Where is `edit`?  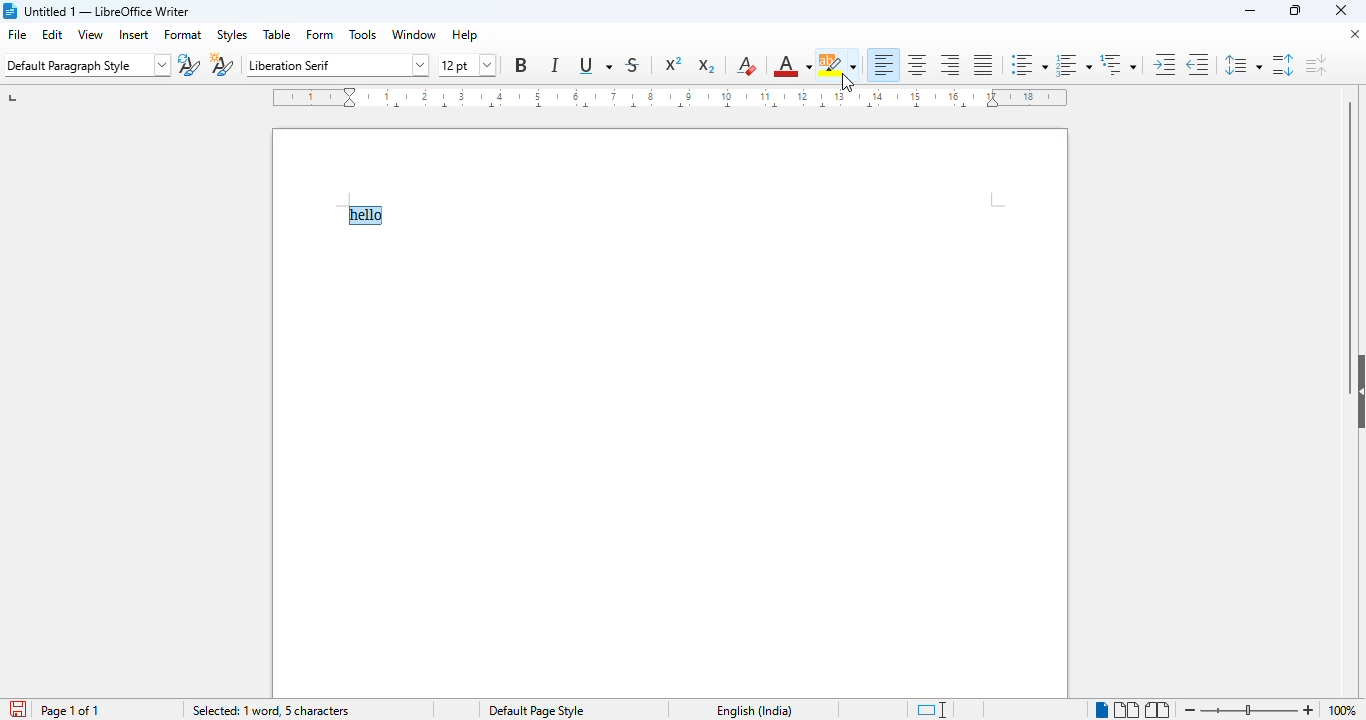
edit is located at coordinates (53, 34).